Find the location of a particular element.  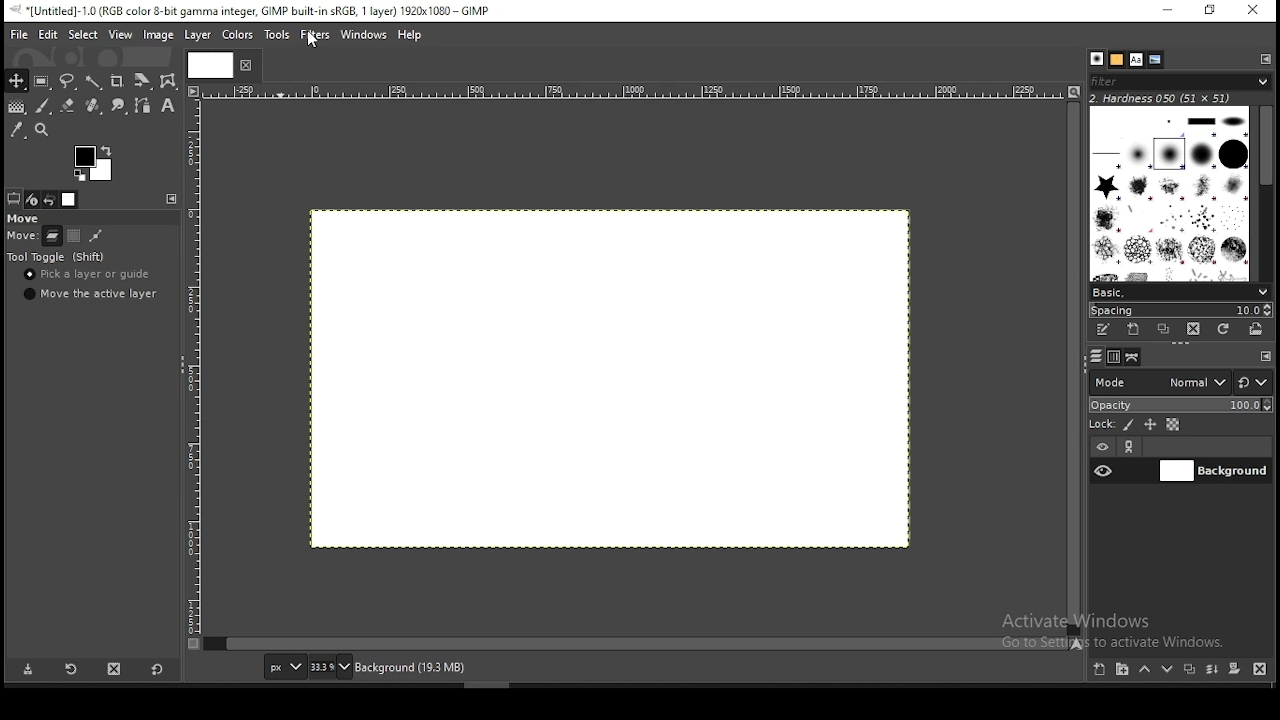

duplicate brush is located at coordinates (1166, 329).